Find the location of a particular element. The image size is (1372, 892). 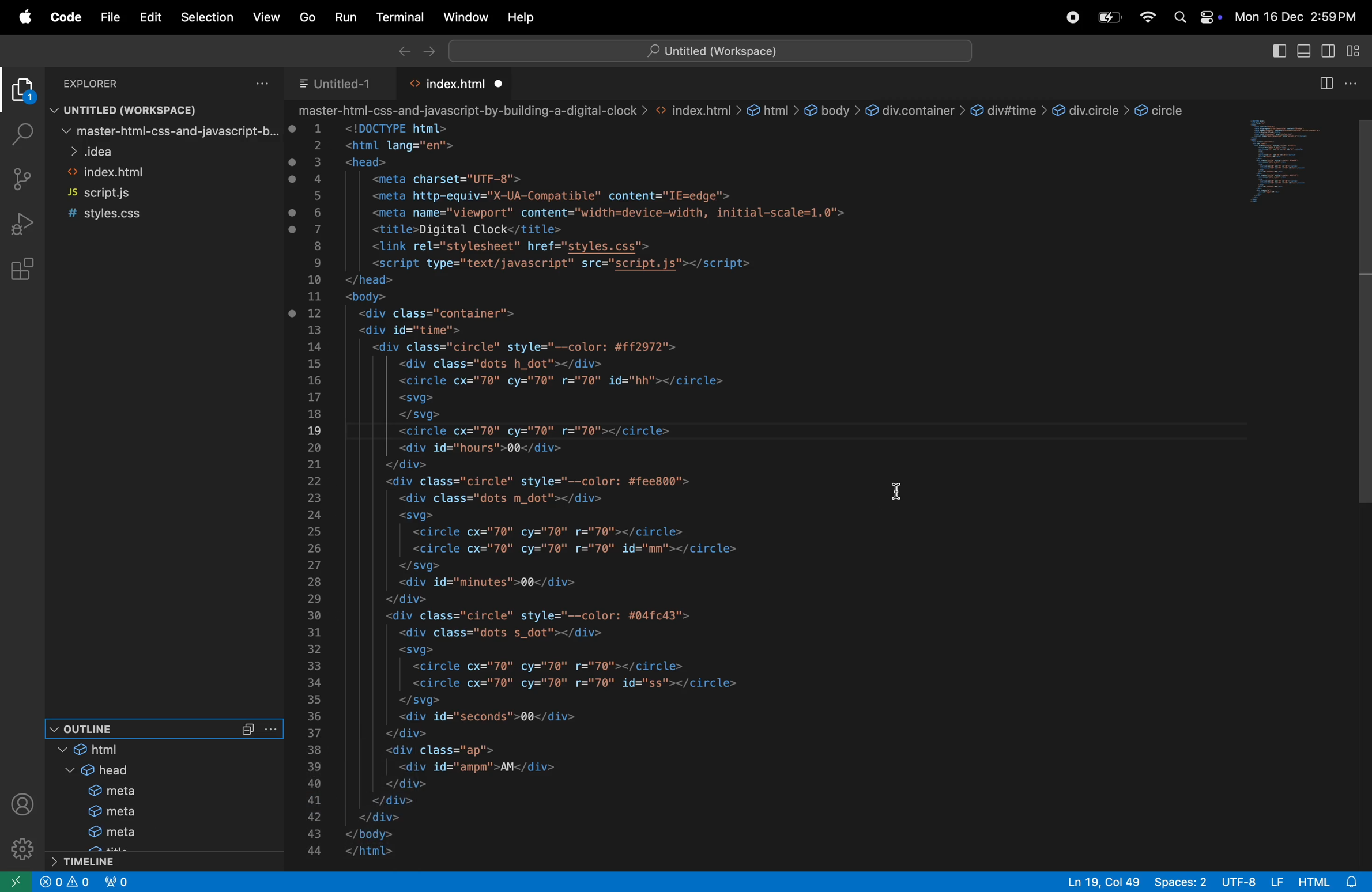

explorer is located at coordinates (101, 82).